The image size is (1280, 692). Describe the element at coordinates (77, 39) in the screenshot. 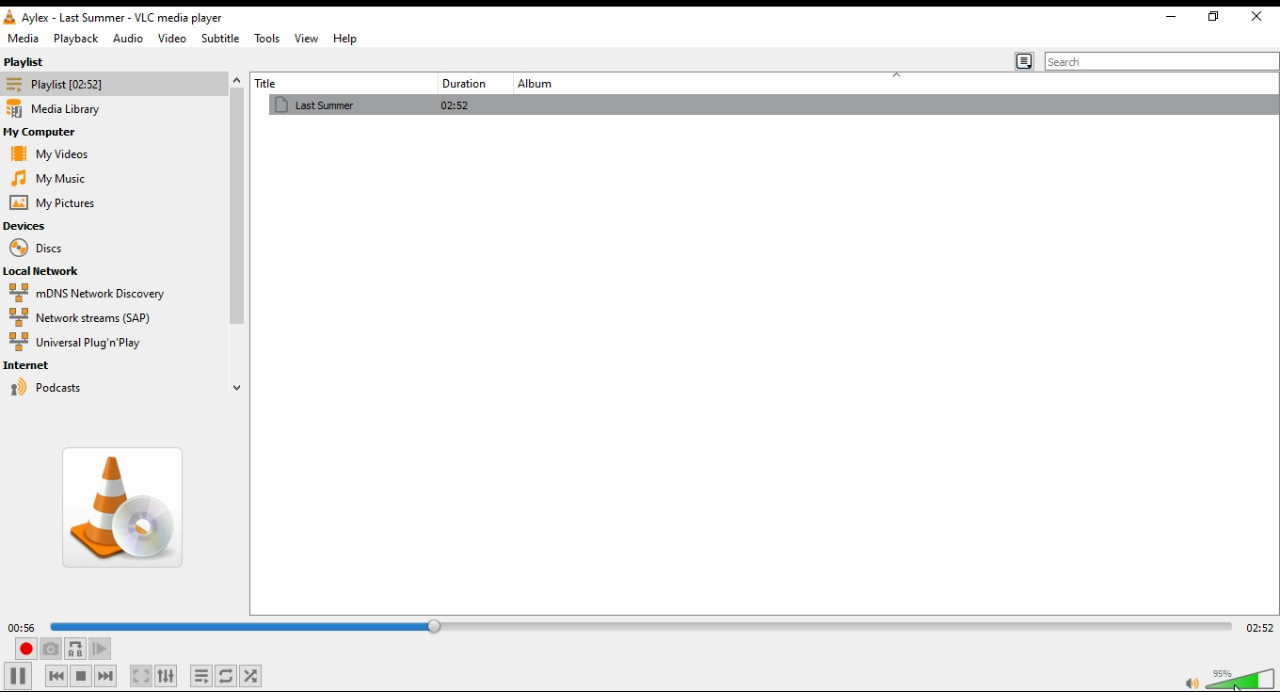

I see `playback` at that location.